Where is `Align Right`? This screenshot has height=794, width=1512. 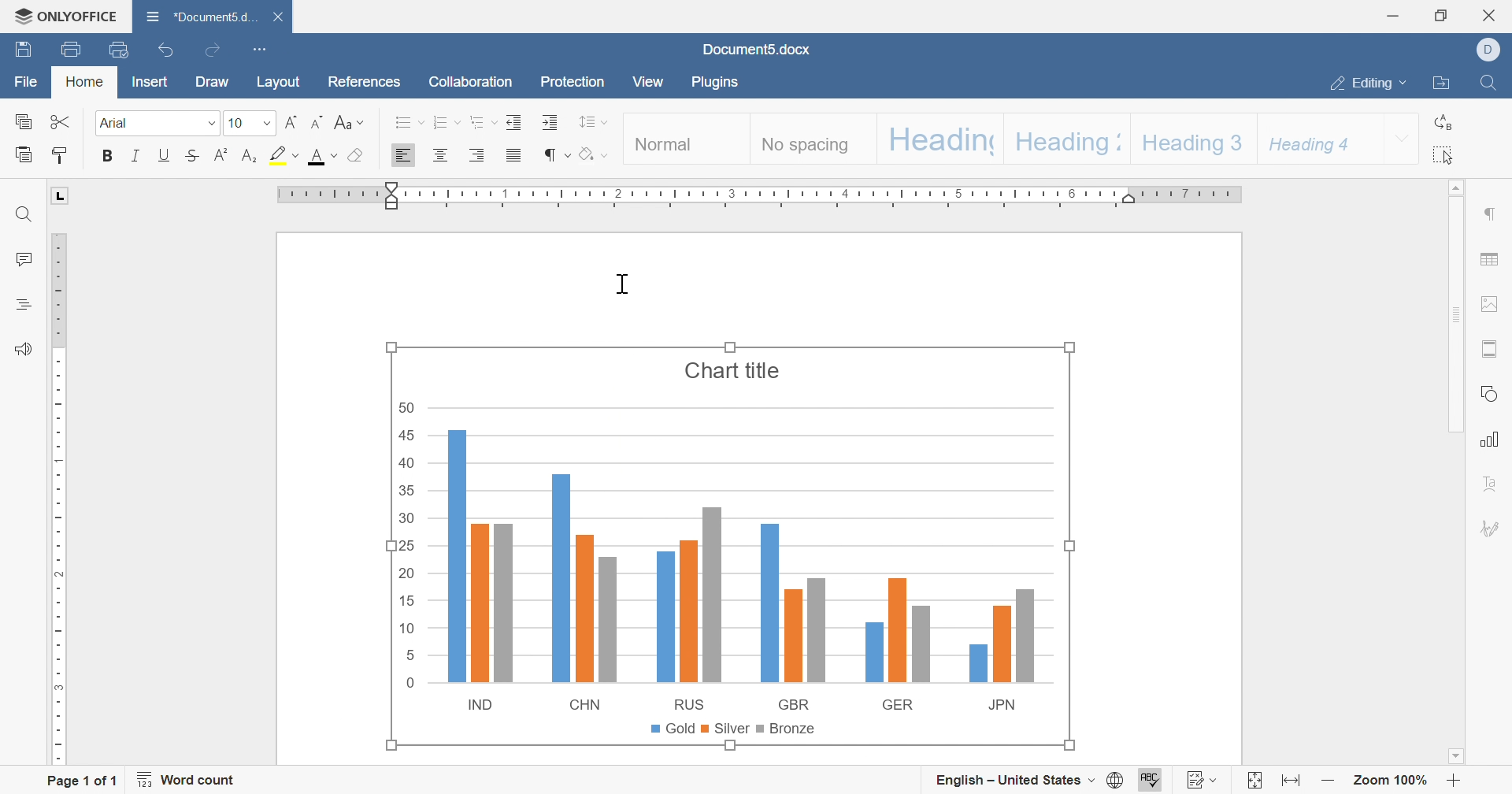
Align Right is located at coordinates (477, 155).